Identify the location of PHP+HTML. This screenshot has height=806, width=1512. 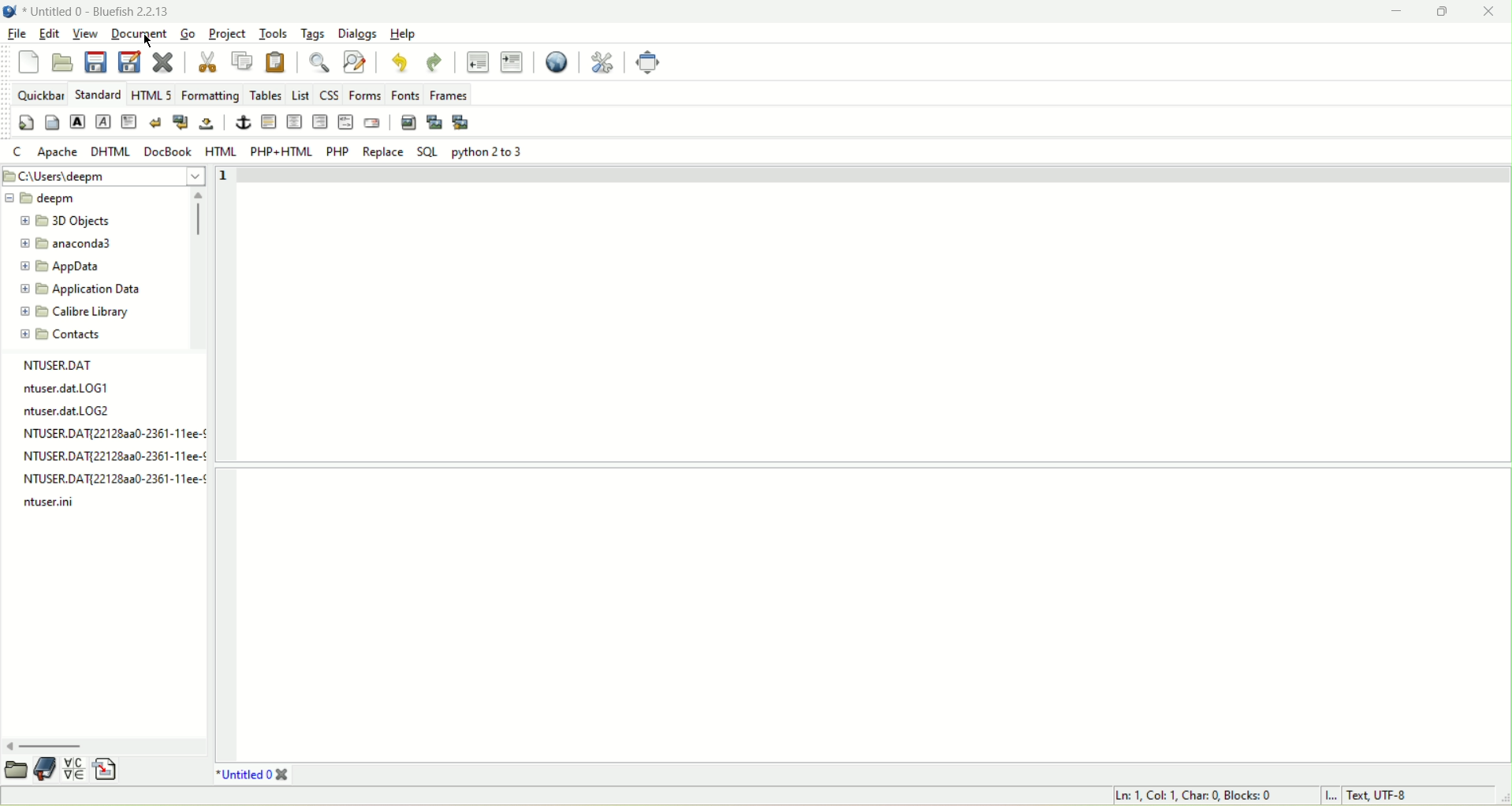
(282, 152).